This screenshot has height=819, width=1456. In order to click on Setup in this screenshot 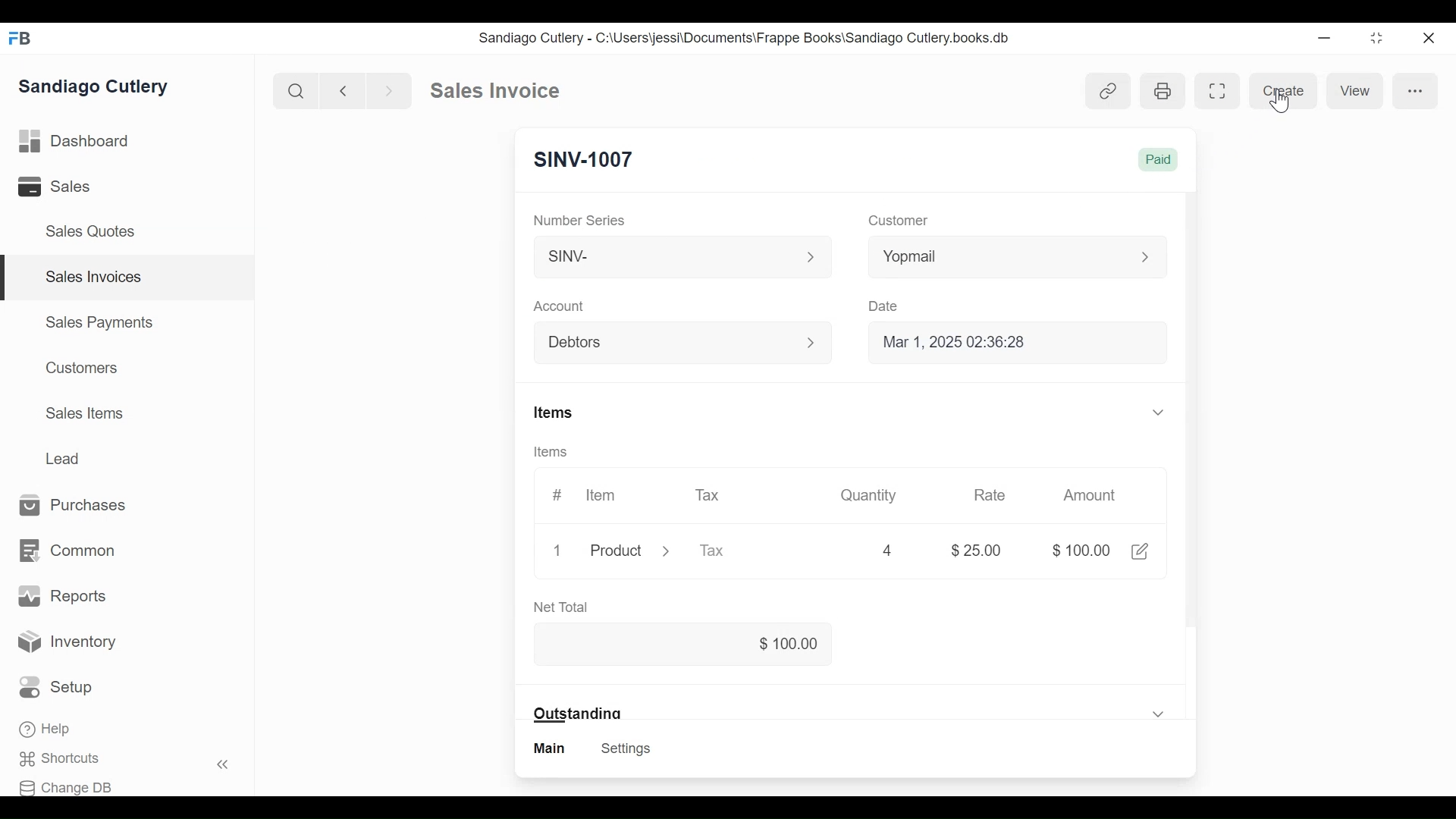, I will do `click(56, 687)`.